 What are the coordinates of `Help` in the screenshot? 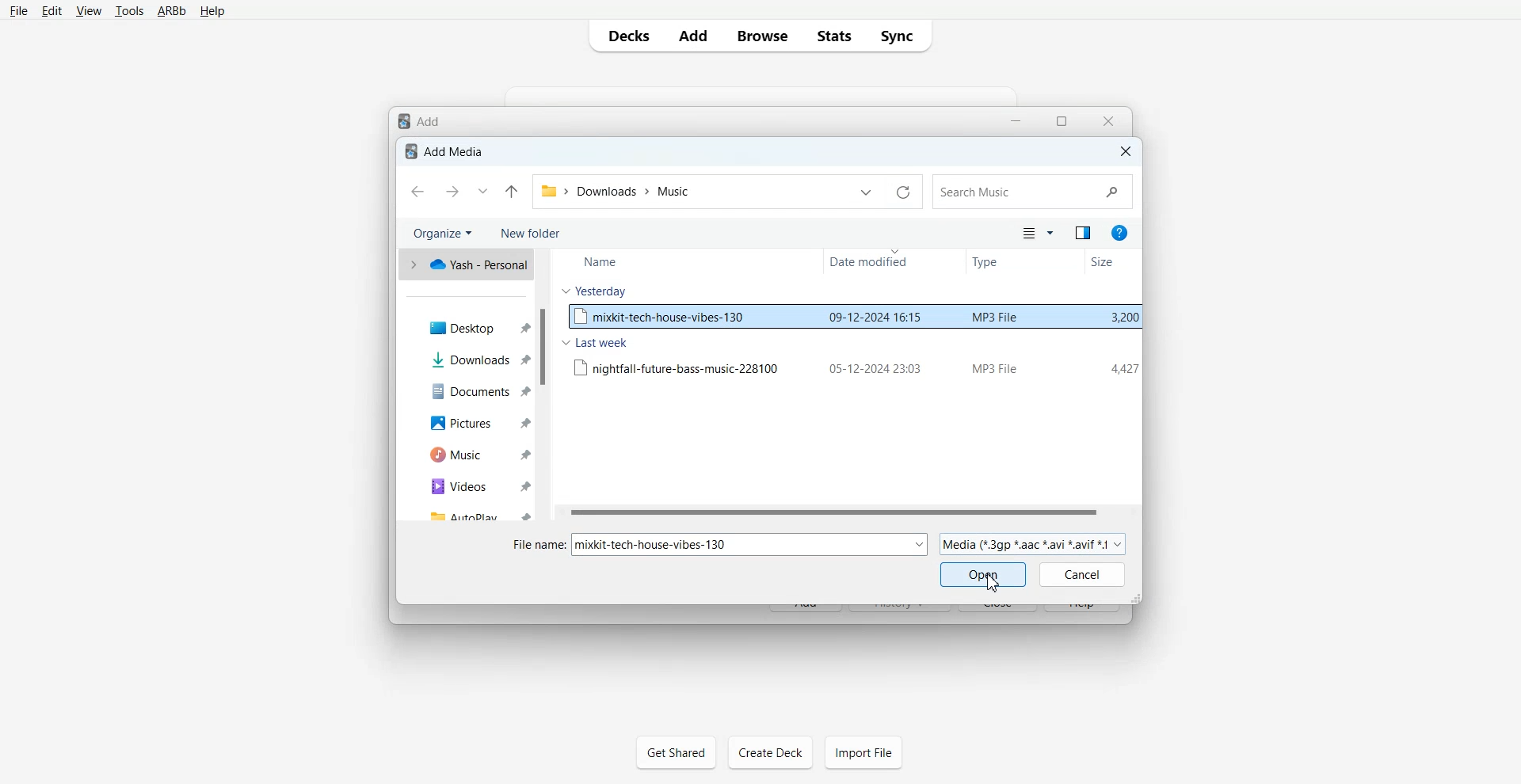 It's located at (212, 10).